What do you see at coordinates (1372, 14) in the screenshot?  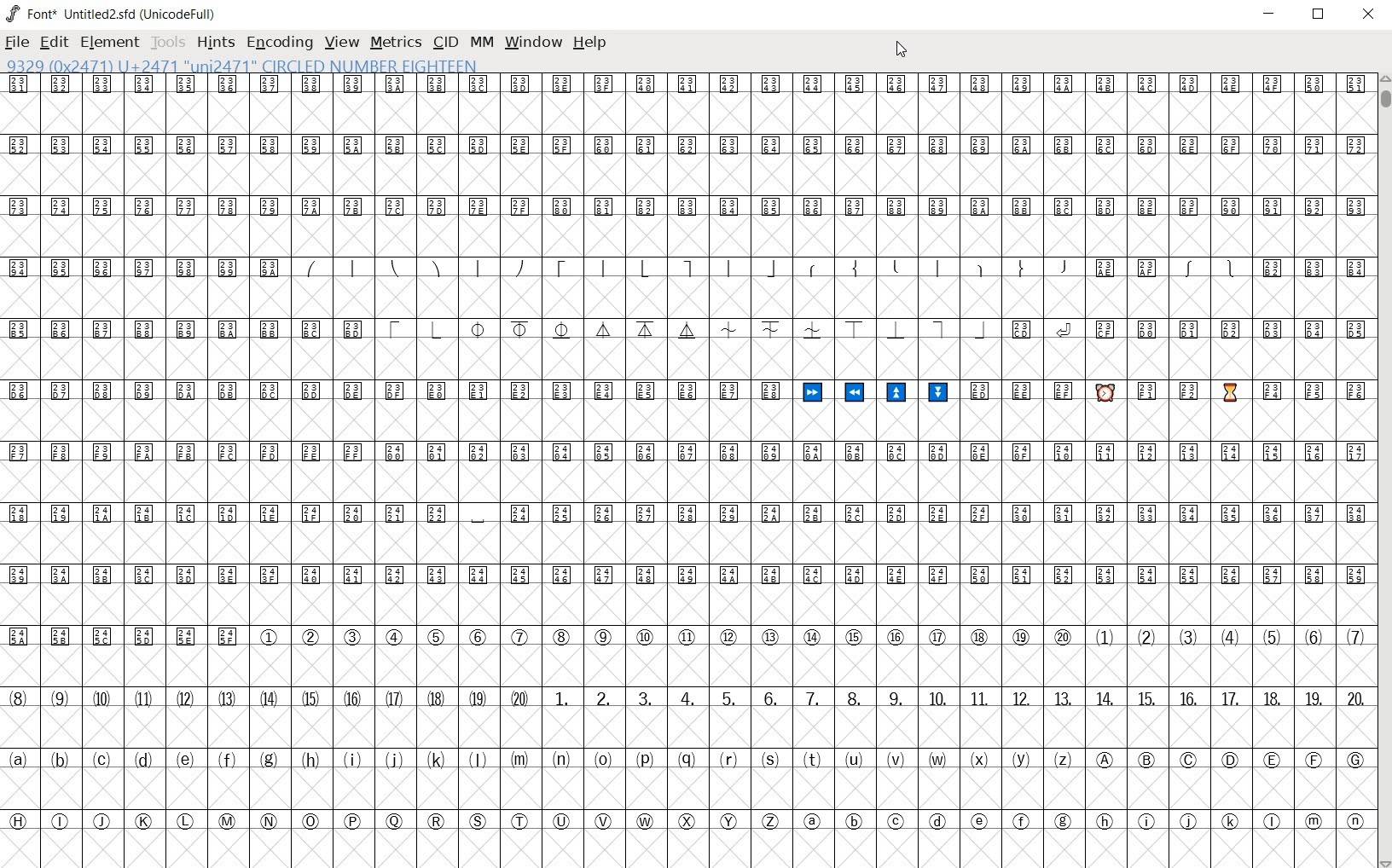 I see `close` at bounding box center [1372, 14].